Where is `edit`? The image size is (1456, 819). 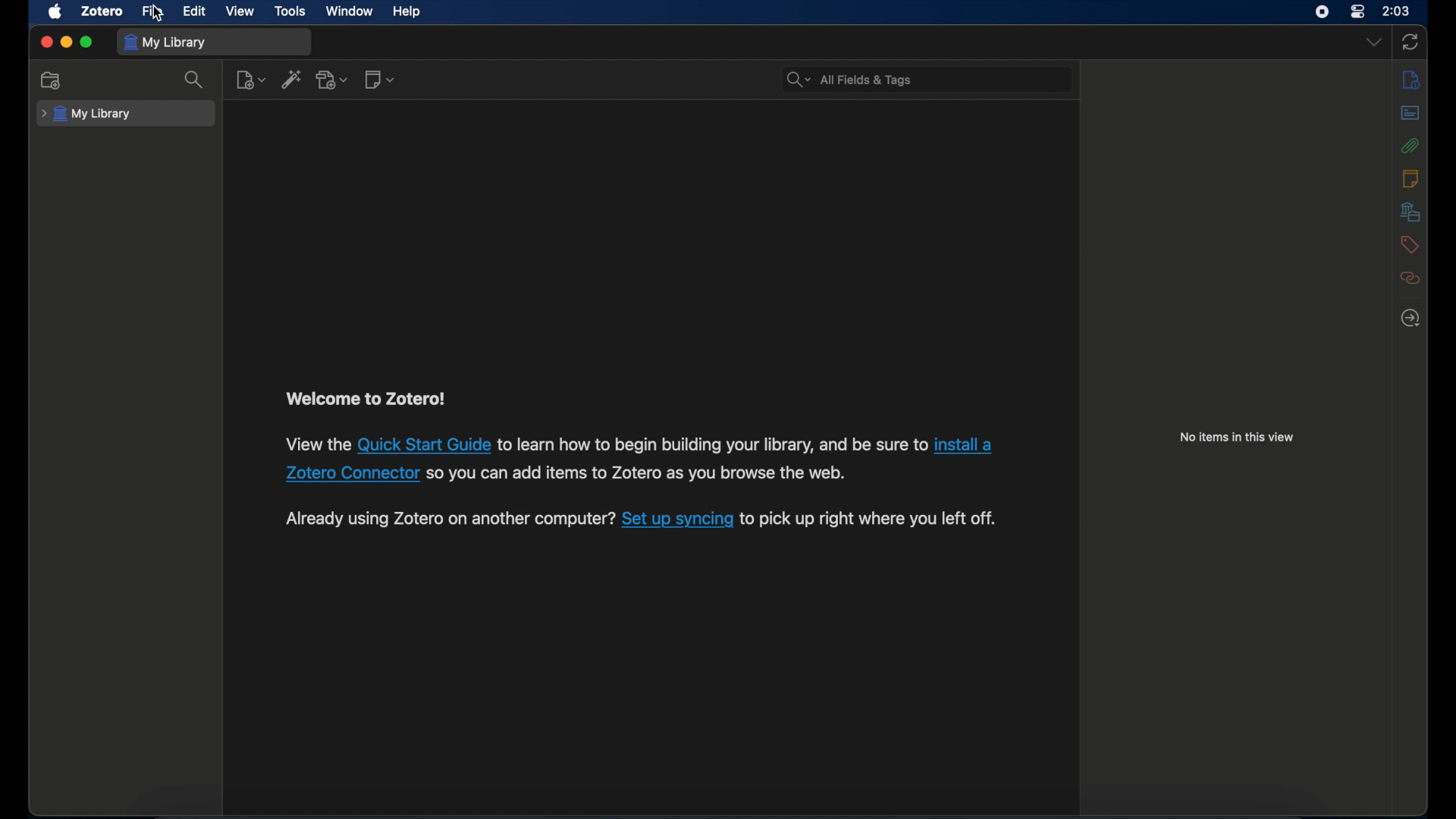 edit is located at coordinates (194, 12).